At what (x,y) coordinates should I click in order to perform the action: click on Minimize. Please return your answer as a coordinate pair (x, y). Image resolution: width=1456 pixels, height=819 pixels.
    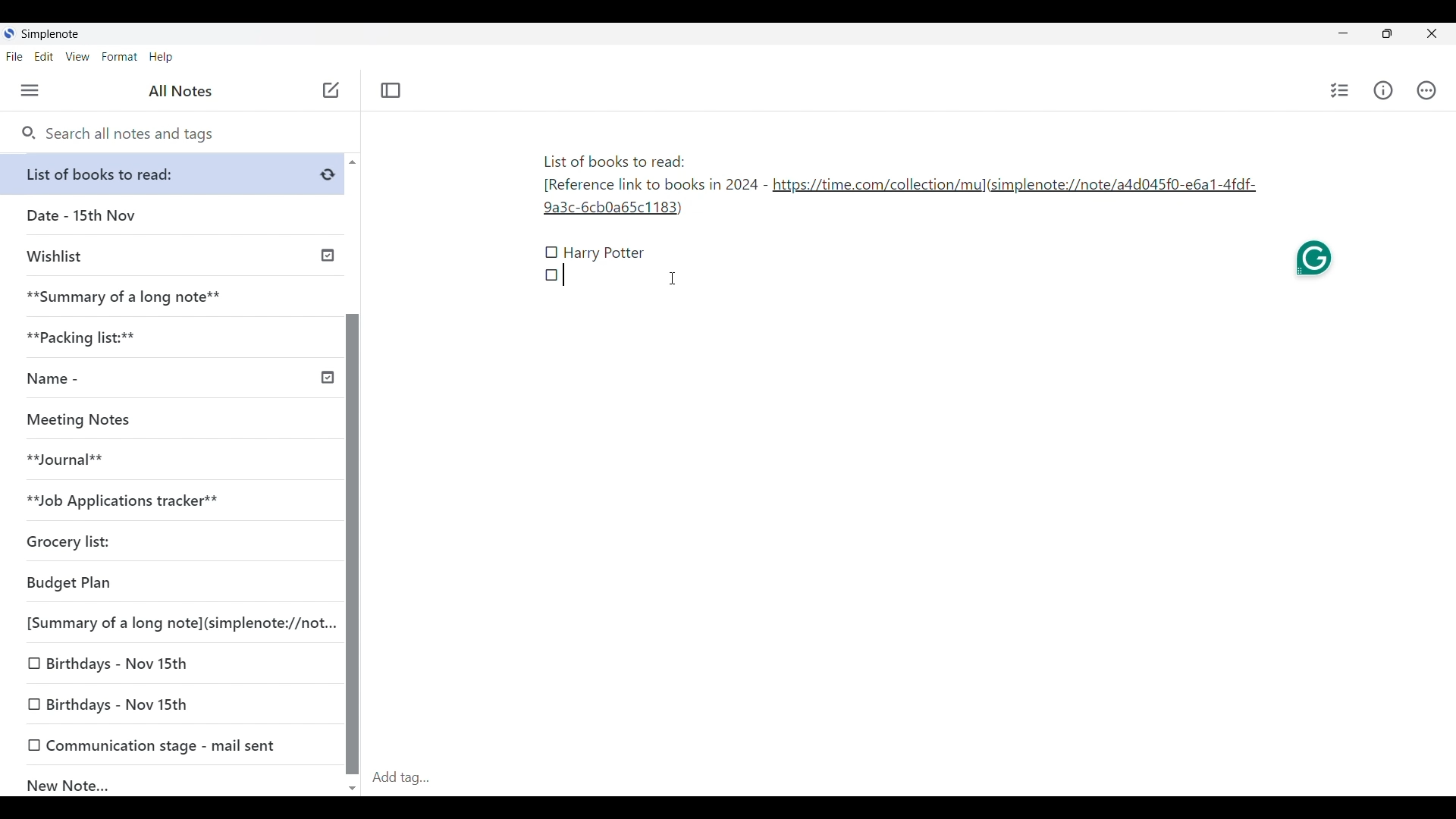
    Looking at the image, I should click on (1340, 32).